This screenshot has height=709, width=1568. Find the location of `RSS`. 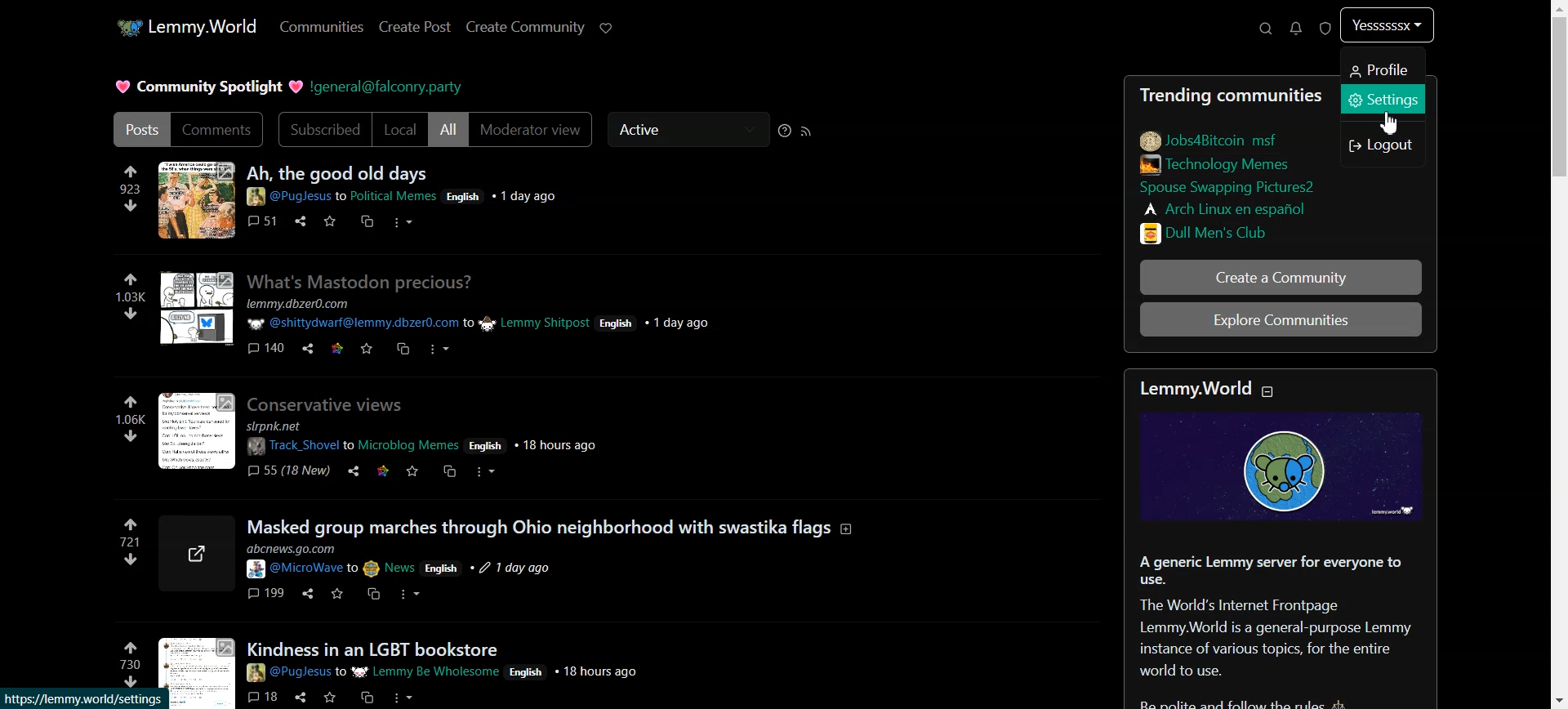

RSS is located at coordinates (808, 132).